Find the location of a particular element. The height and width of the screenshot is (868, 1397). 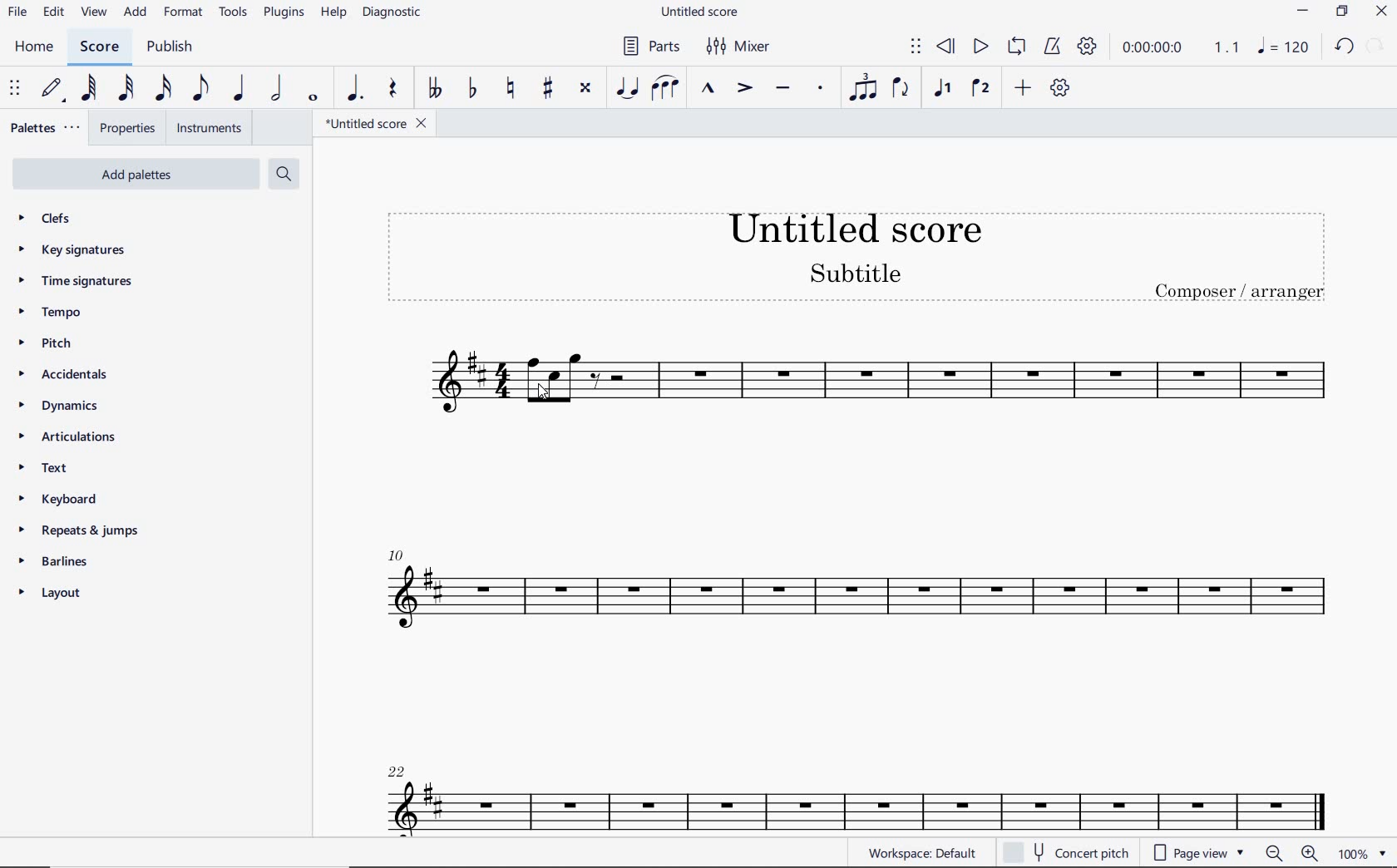

title is located at coordinates (856, 257).